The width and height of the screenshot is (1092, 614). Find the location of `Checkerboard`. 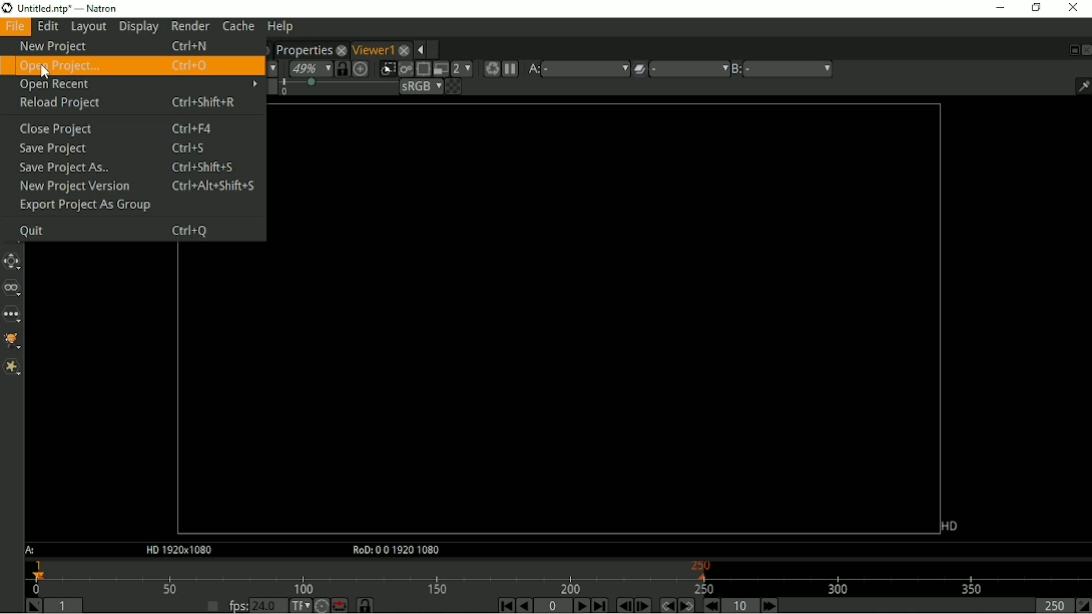

Checkerboard is located at coordinates (453, 86).